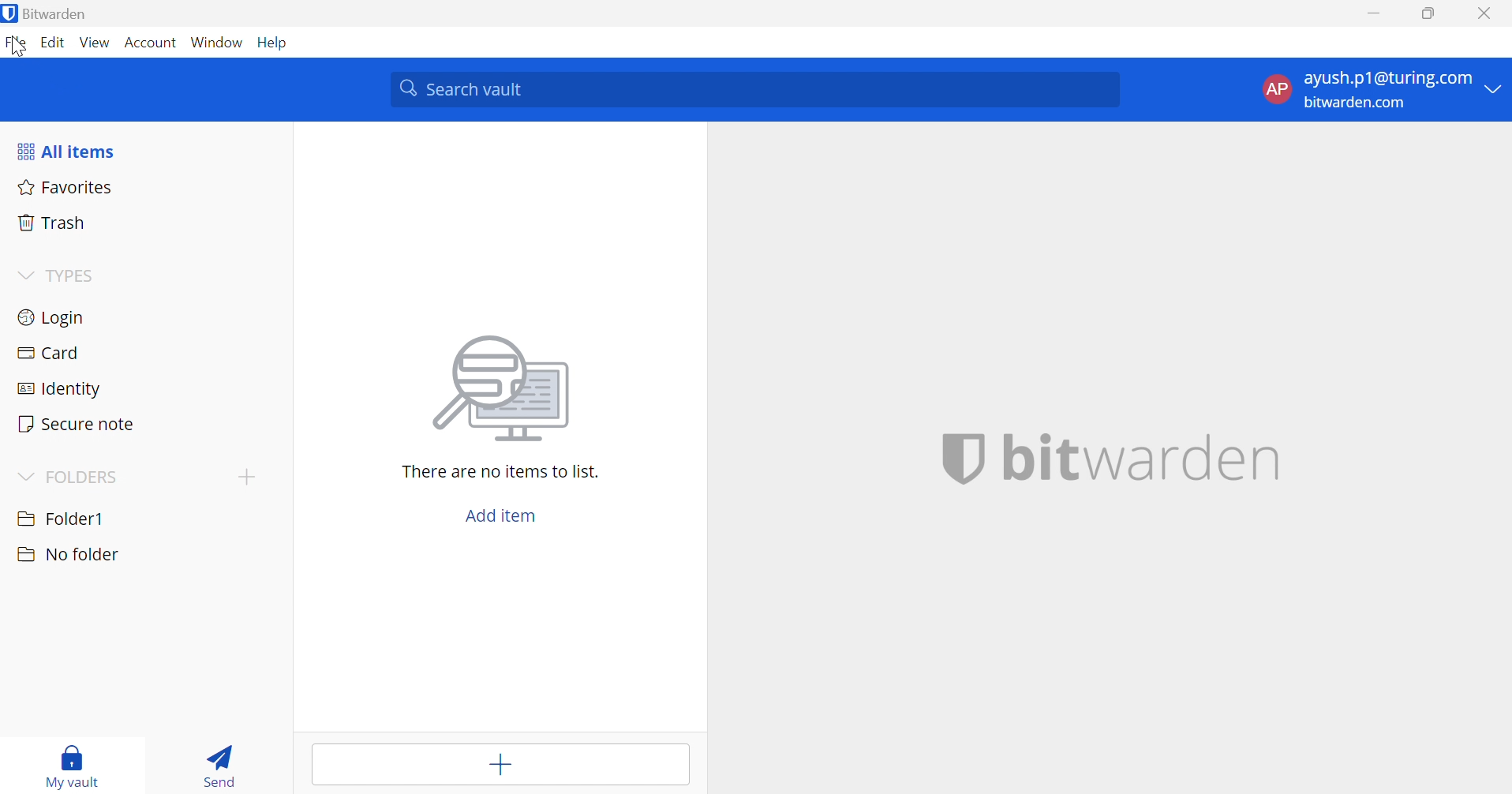 The image size is (1512, 794). I want to click on Card, so click(51, 353).